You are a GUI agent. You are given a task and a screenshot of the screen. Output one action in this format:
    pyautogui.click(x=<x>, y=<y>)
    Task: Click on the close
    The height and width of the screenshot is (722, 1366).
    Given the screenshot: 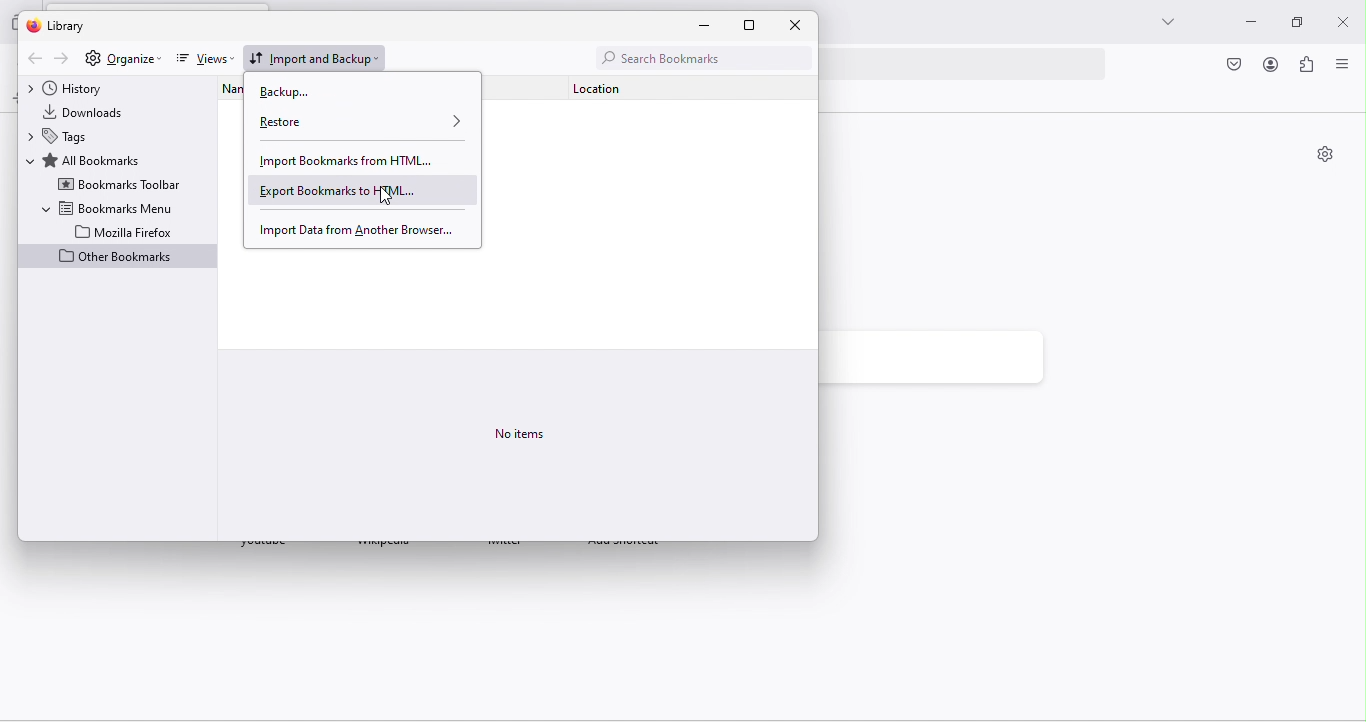 What is the action you would take?
    pyautogui.click(x=795, y=24)
    